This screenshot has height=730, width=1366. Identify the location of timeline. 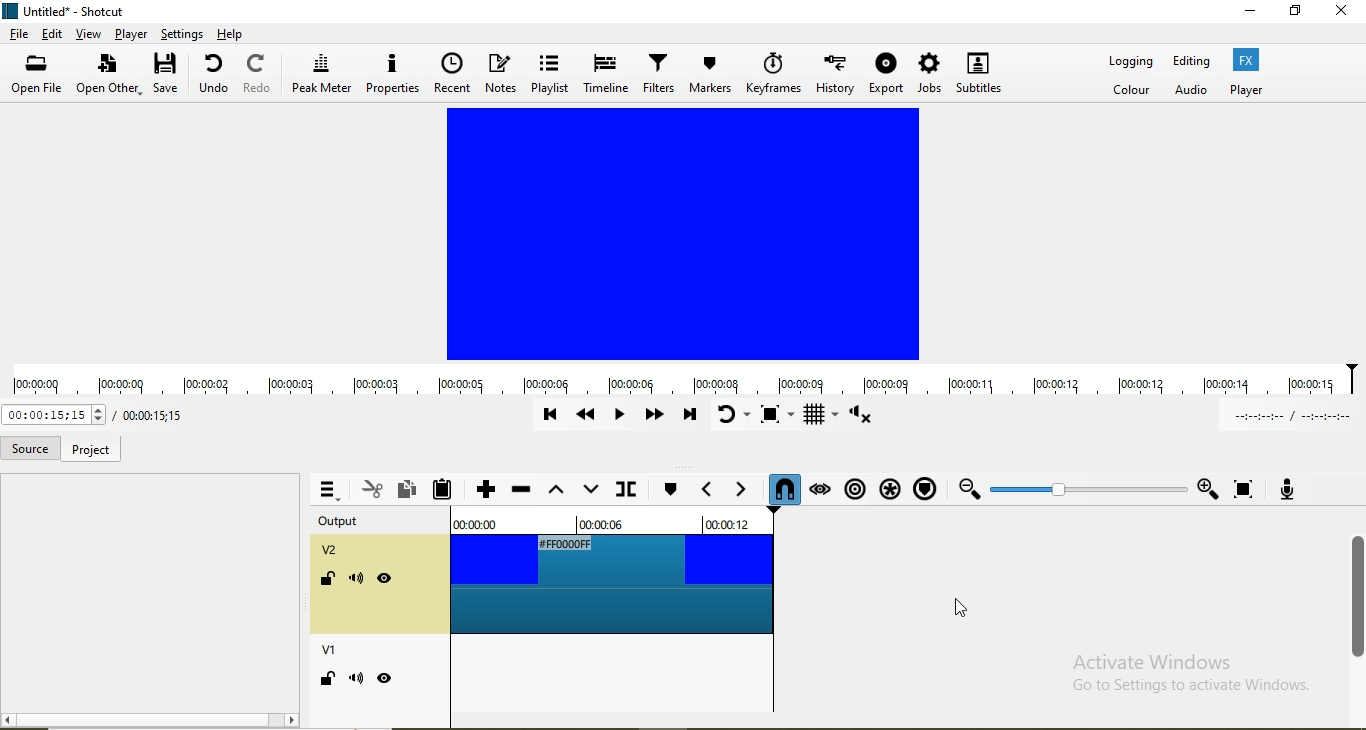
(683, 381).